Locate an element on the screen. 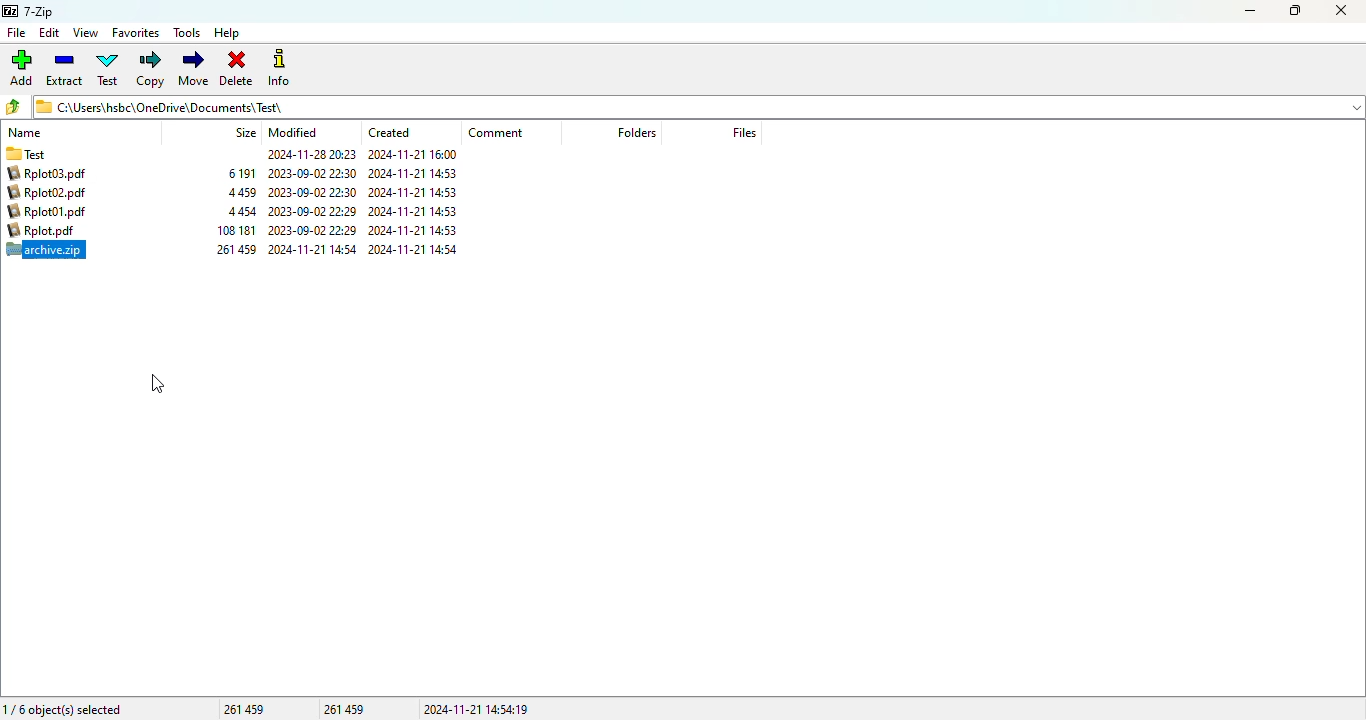  2024-11-21 14:53 is located at coordinates (416, 249).